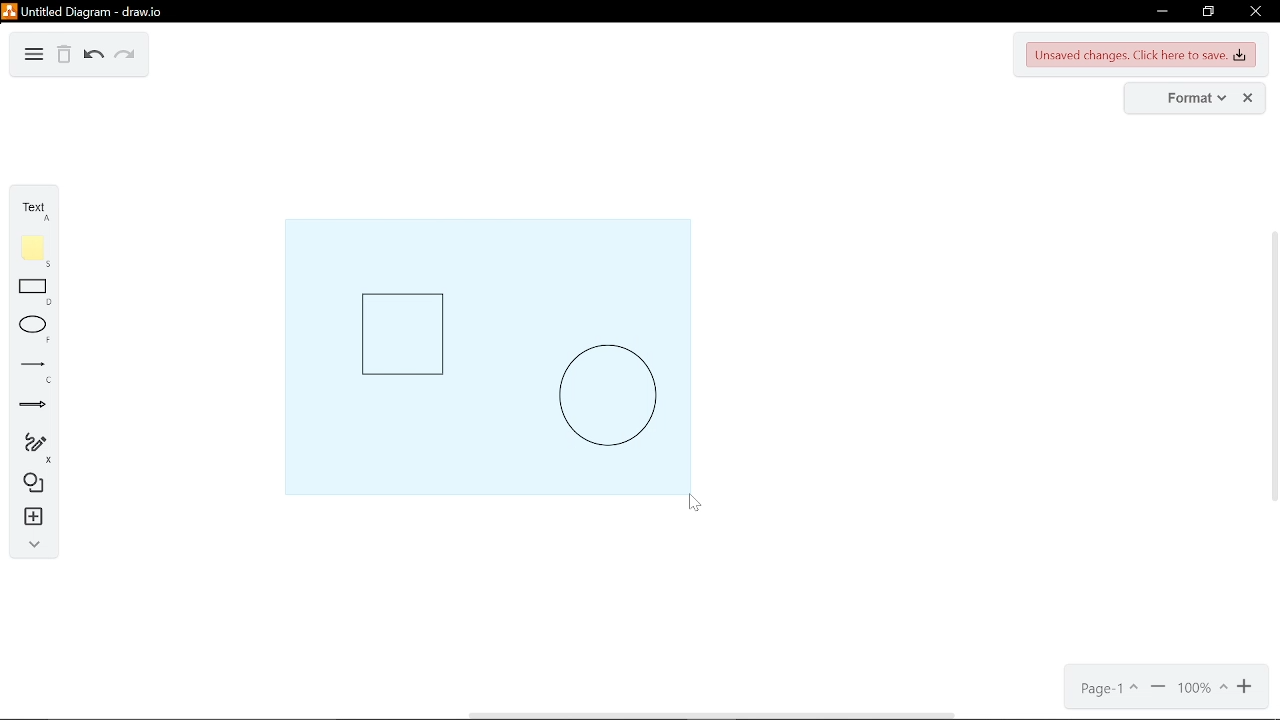 The width and height of the screenshot is (1280, 720). Describe the element at coordinates (1142, 56) in the screenshot. I see `unsaved changes. Click here to save` at that location.